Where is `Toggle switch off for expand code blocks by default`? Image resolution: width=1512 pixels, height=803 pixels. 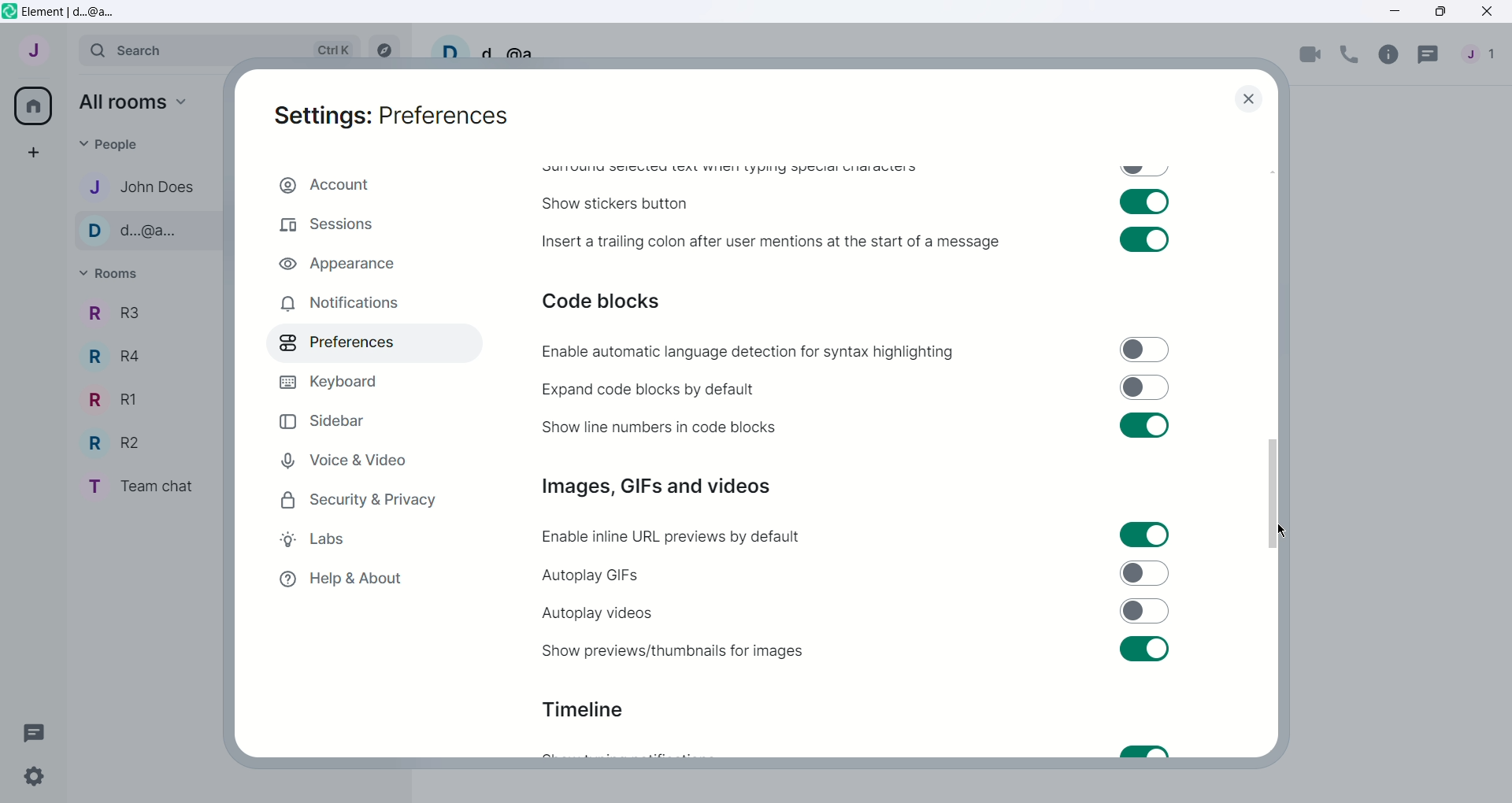 Toggle switch off for expand code blocks by default is located at coordinates (1145, 387).